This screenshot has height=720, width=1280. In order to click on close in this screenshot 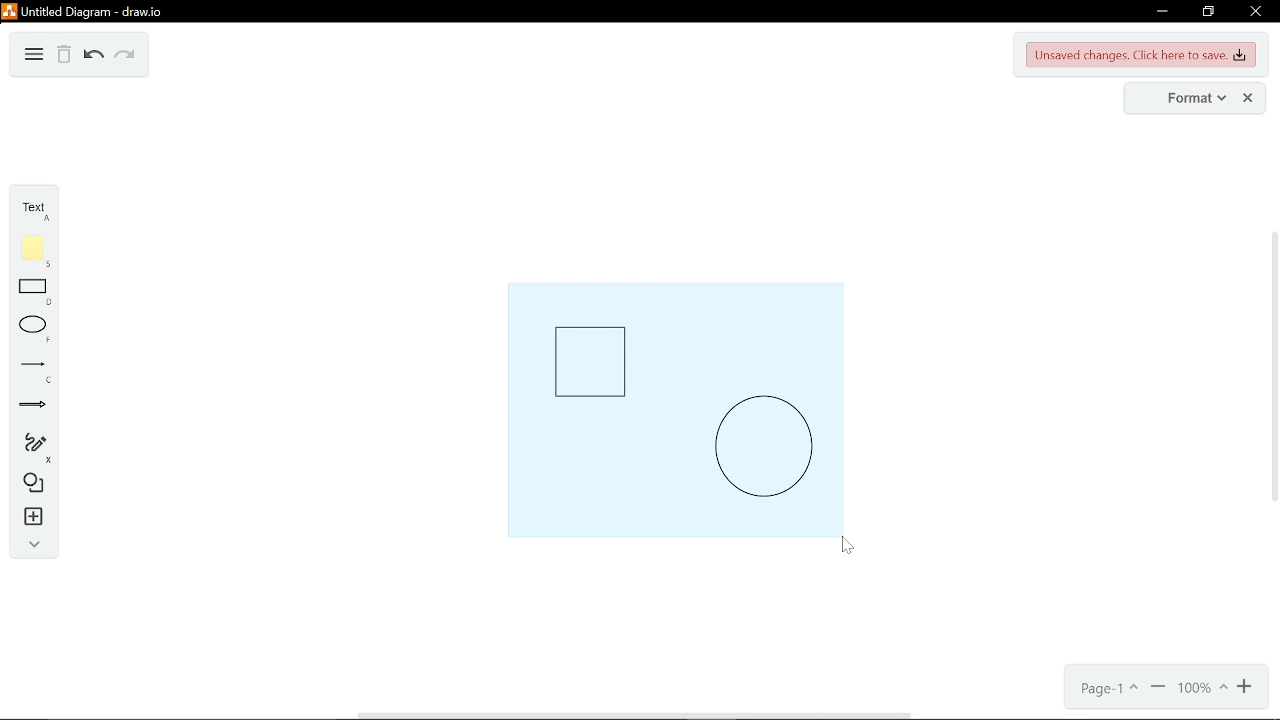, I will do `click(1256, 11)`.